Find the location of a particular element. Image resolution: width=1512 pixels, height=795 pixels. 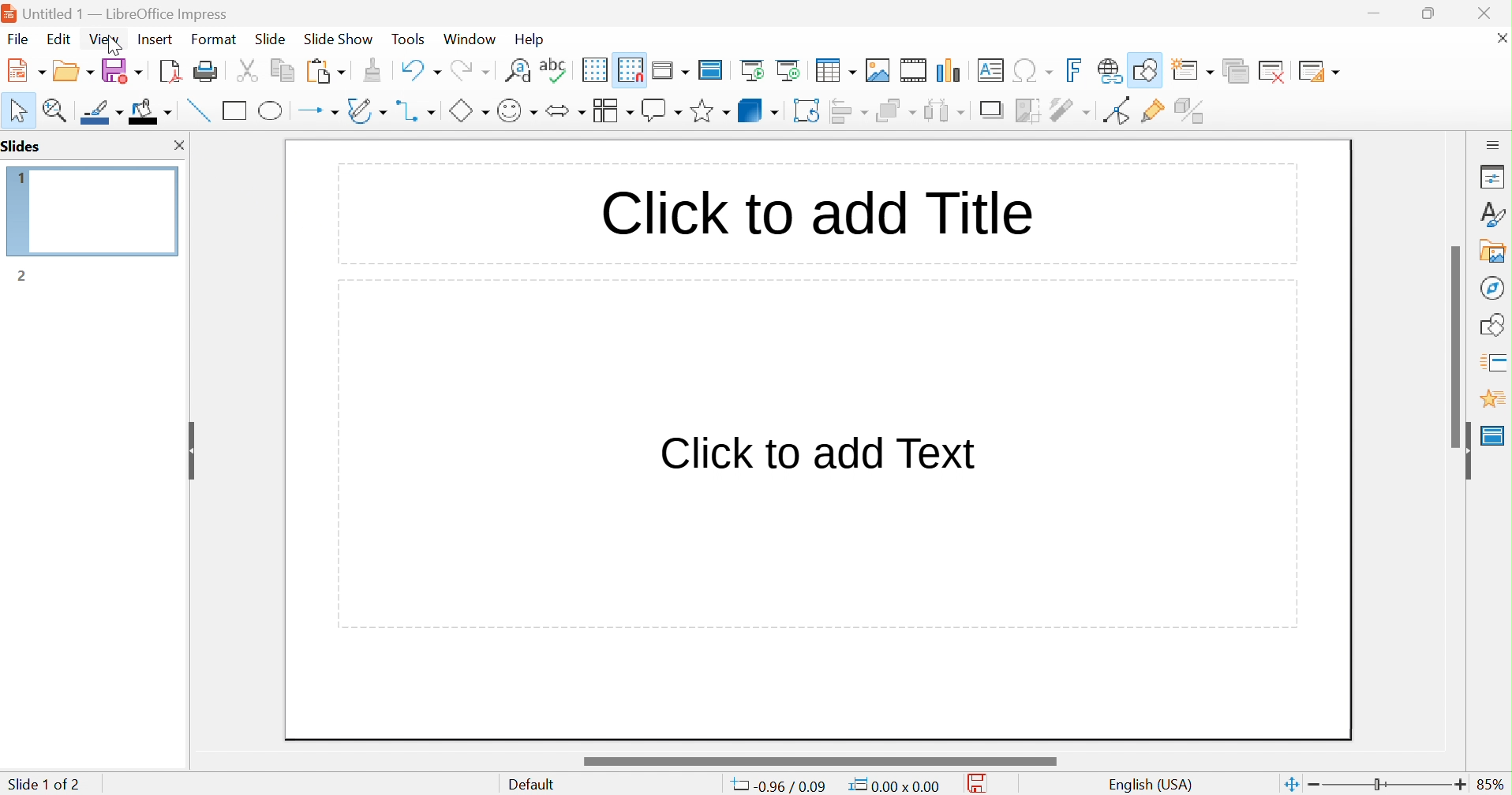

help is located at coordinates (531, 39).